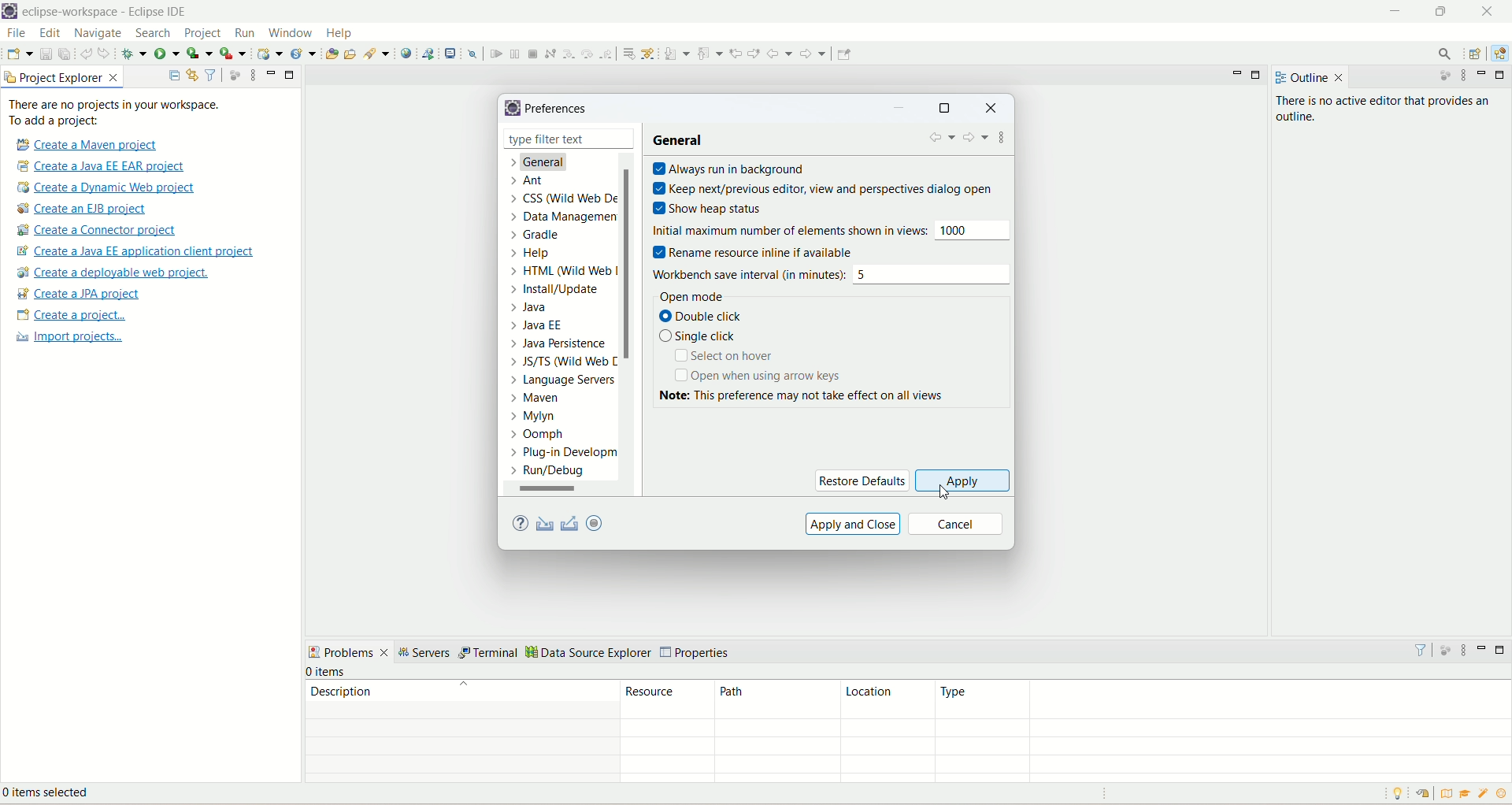 The height and width of the screenshot is (805, 1512). I want to click on resources, so click(668, 699).